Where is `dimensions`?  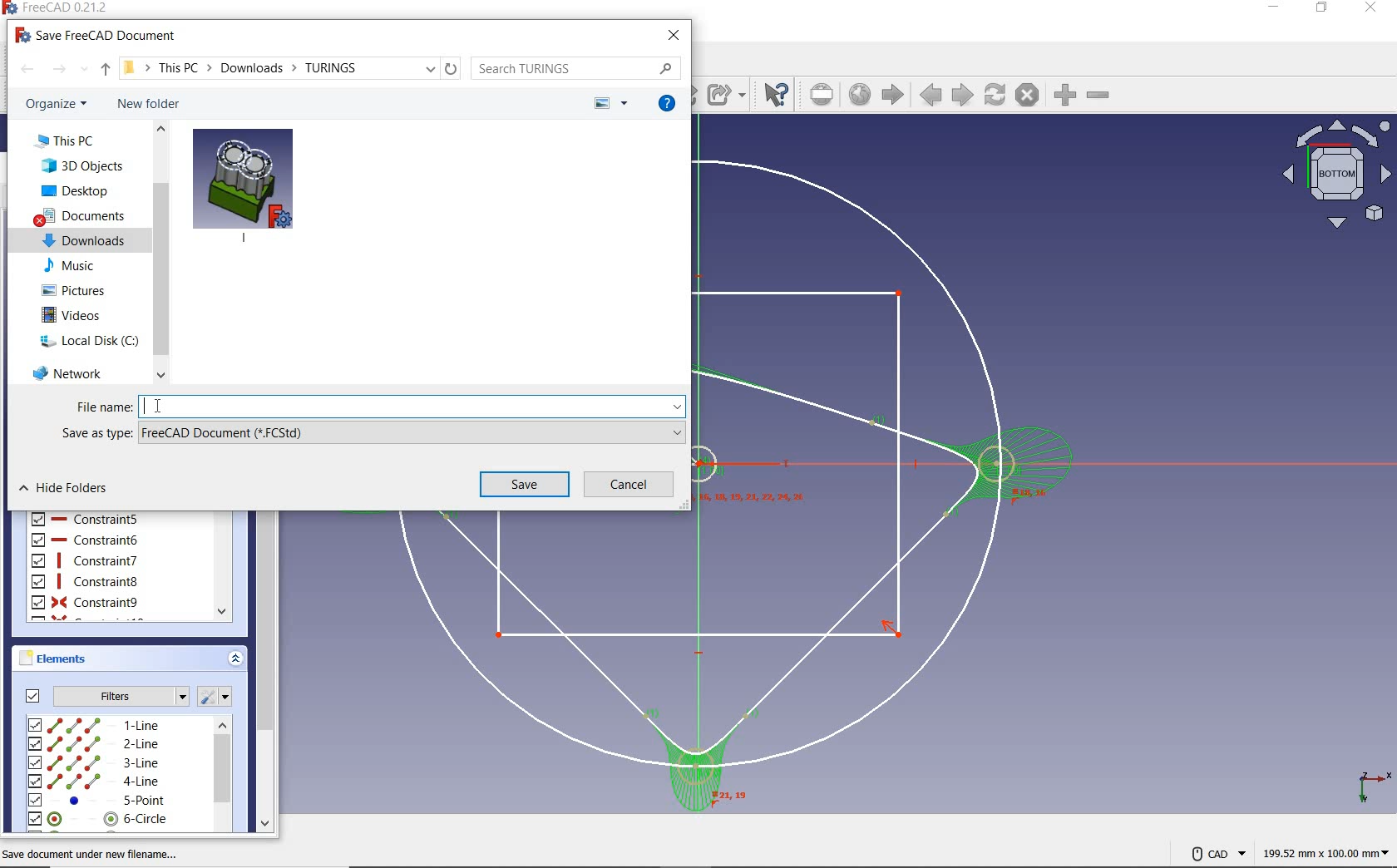
dimensions is located at coordinates (1324, 855).